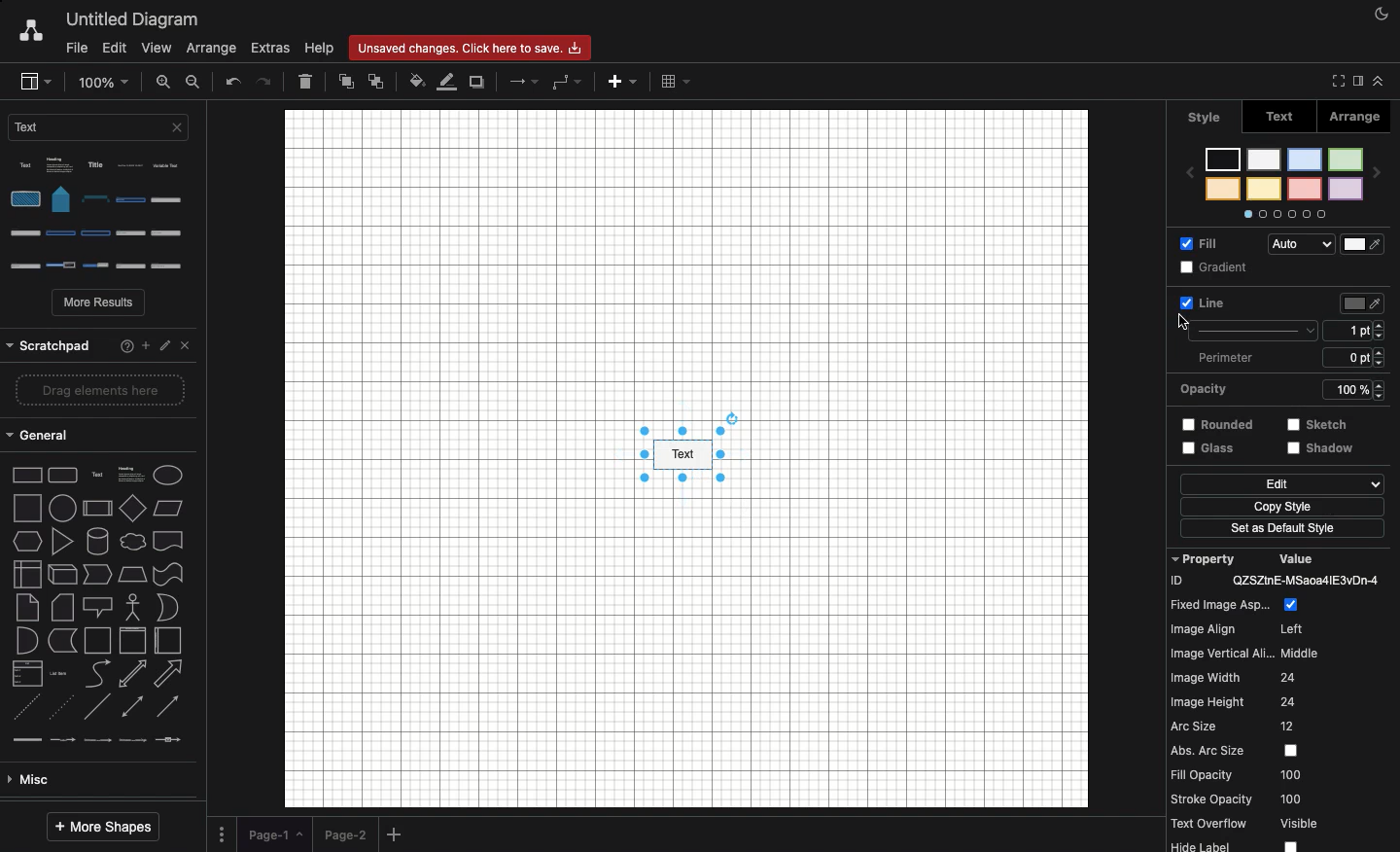 This screenshot has height=852, width=1400. What do you see at coordinates (1286, 330) in the screenshot?
I see `Perimeter` at bounding box center [1286, 330].